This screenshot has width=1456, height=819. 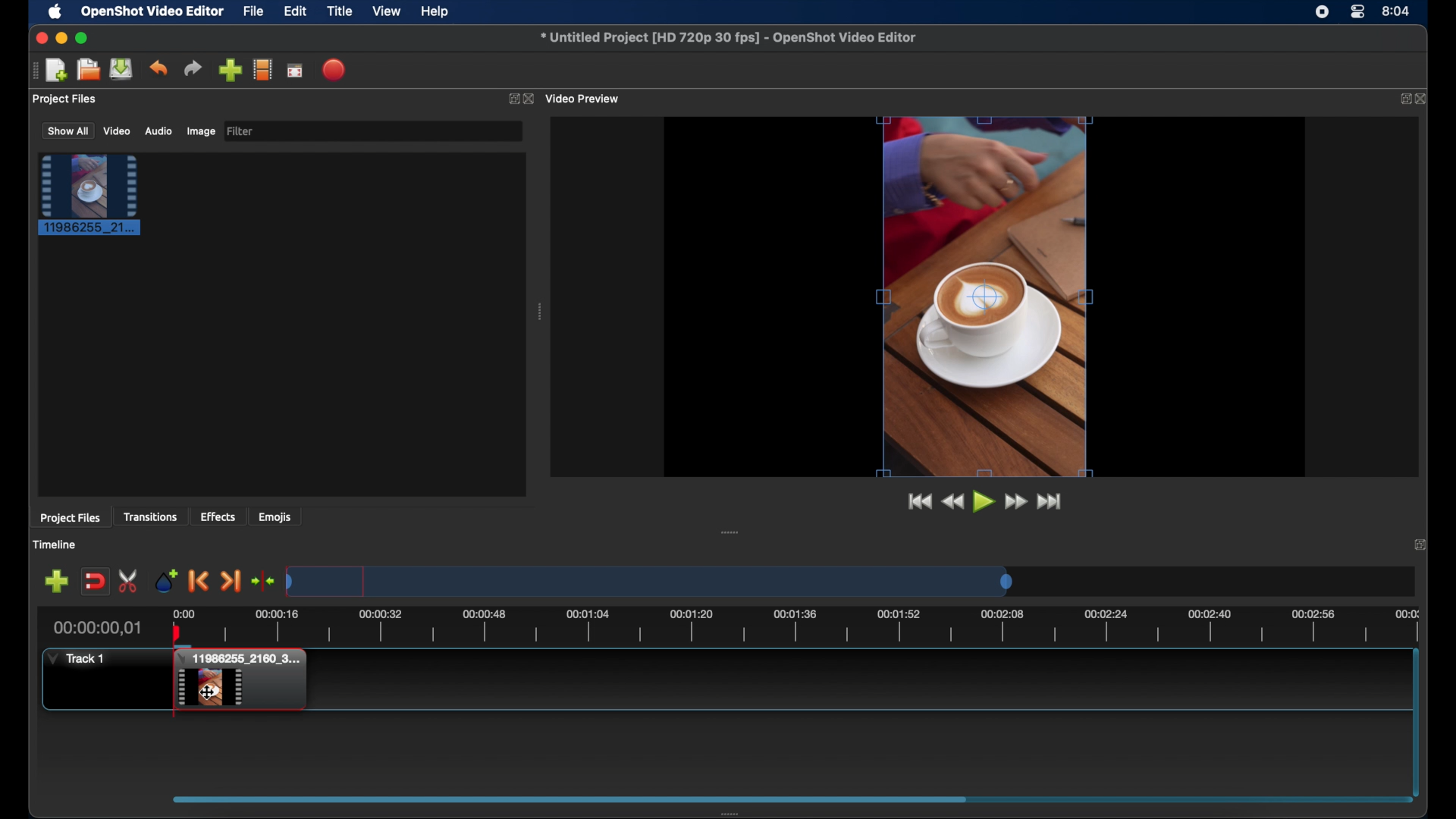 What do you see at coordinates (66, 99) in the screenshot?
I see `project files` at bounding box center [66, 99].